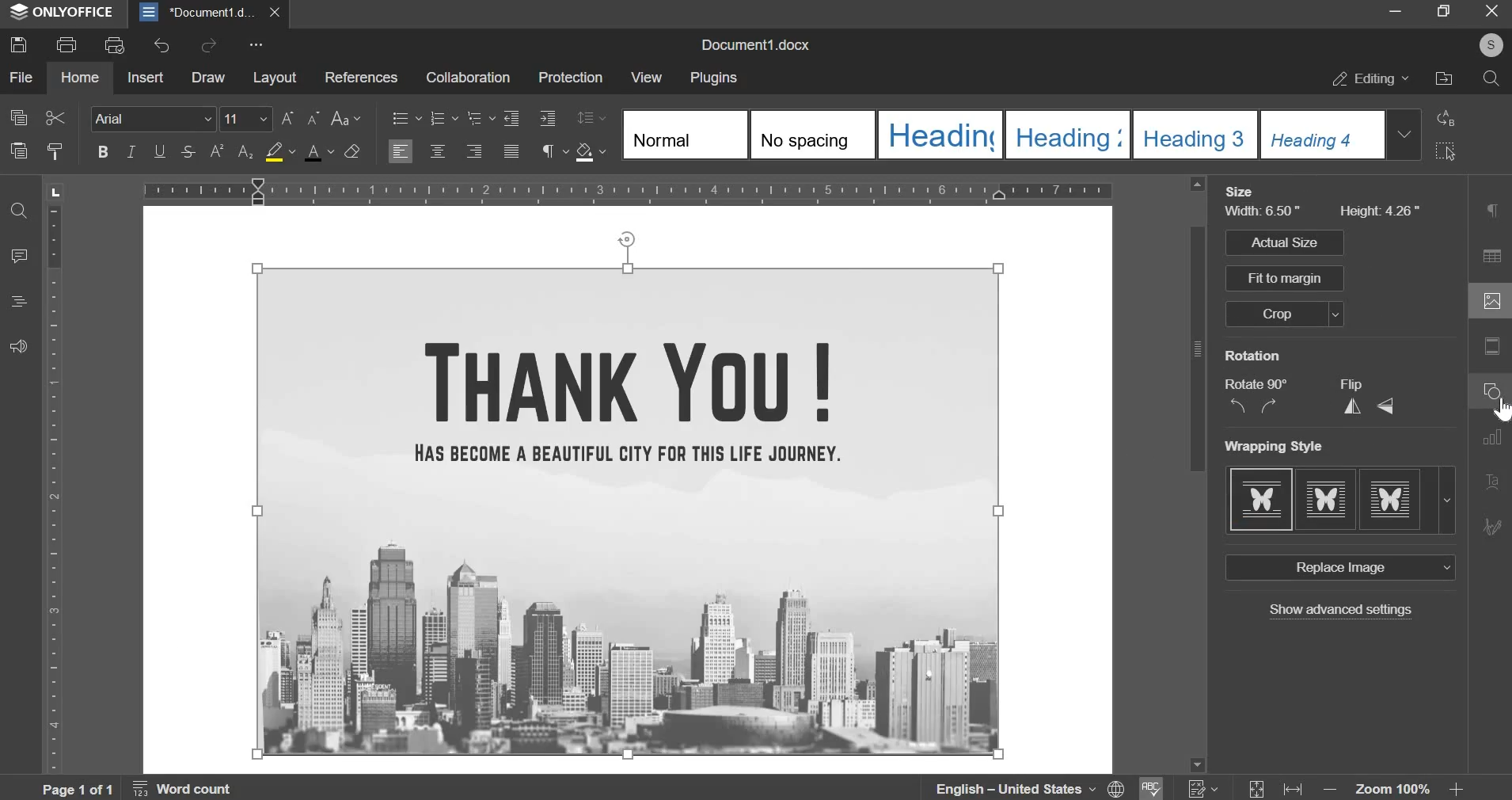 The image size is (1512, 800). I want to click on select, so click(1447, 151).